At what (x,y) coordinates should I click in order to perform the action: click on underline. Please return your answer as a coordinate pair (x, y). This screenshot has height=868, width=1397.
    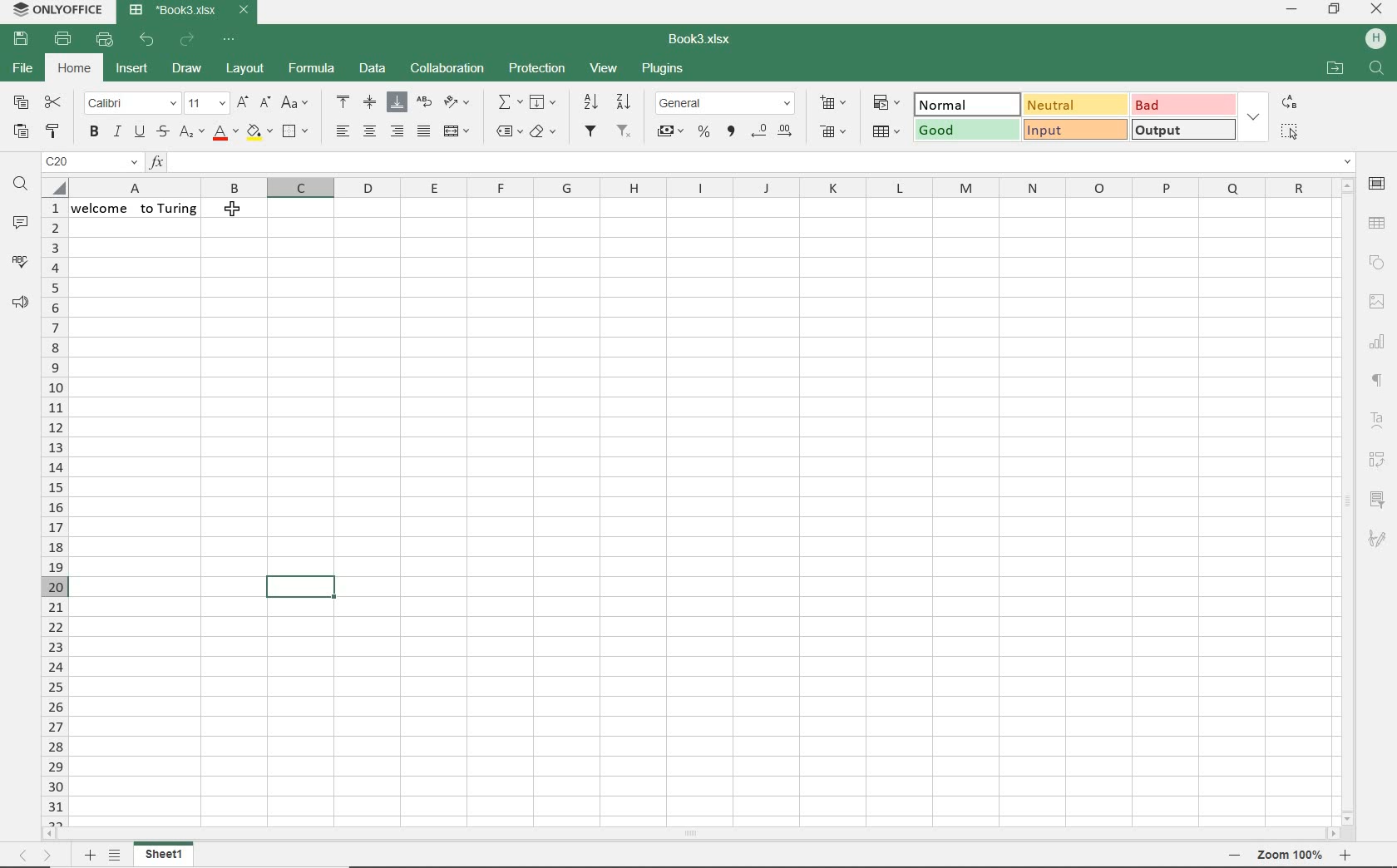
    Looking at the image, I should click on (141, 133).